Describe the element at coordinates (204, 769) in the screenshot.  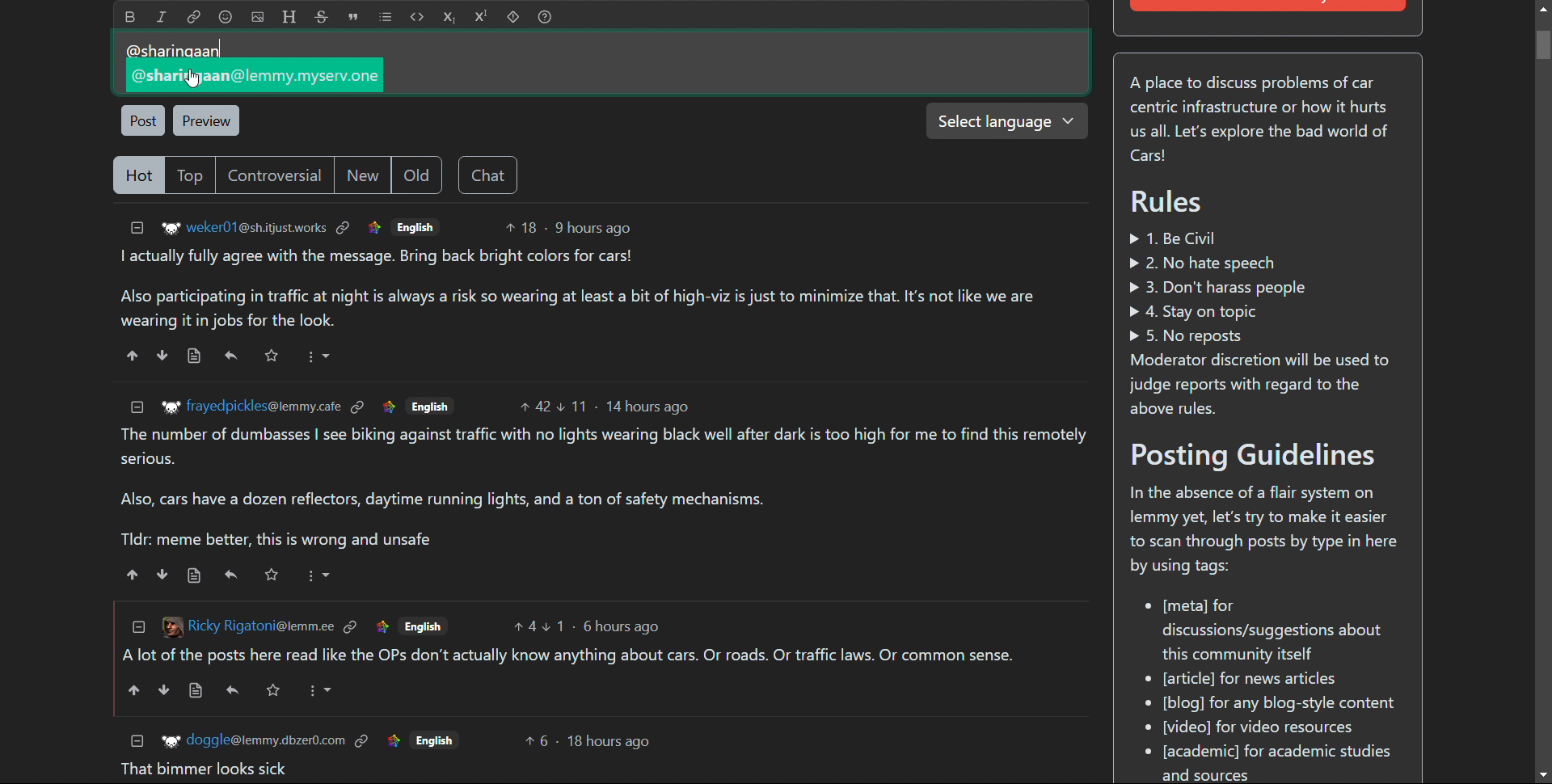
I see `That bimmer looks sick` at that location.